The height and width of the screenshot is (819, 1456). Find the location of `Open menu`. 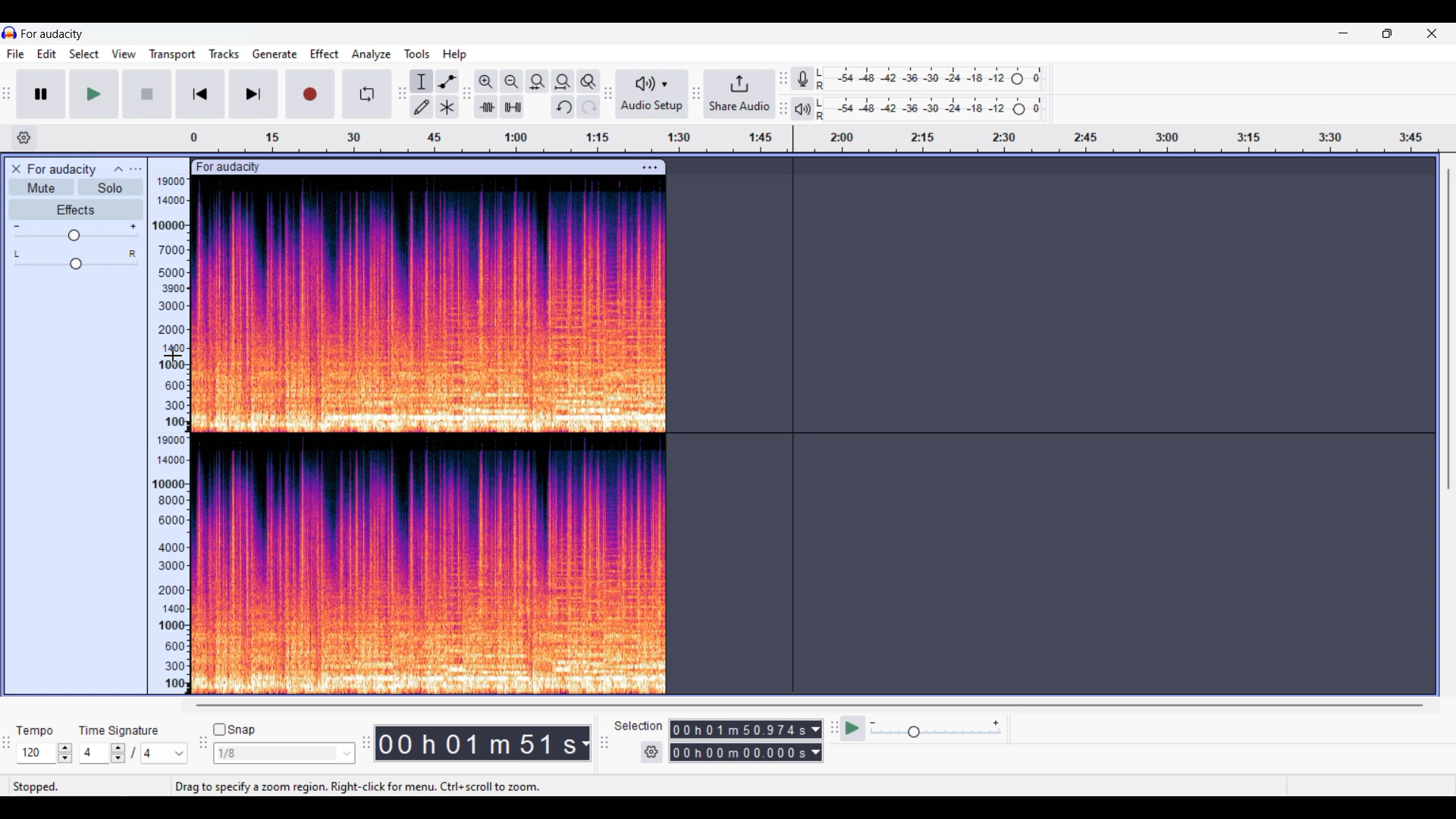

Open menu is located at coordinates (136, 169).